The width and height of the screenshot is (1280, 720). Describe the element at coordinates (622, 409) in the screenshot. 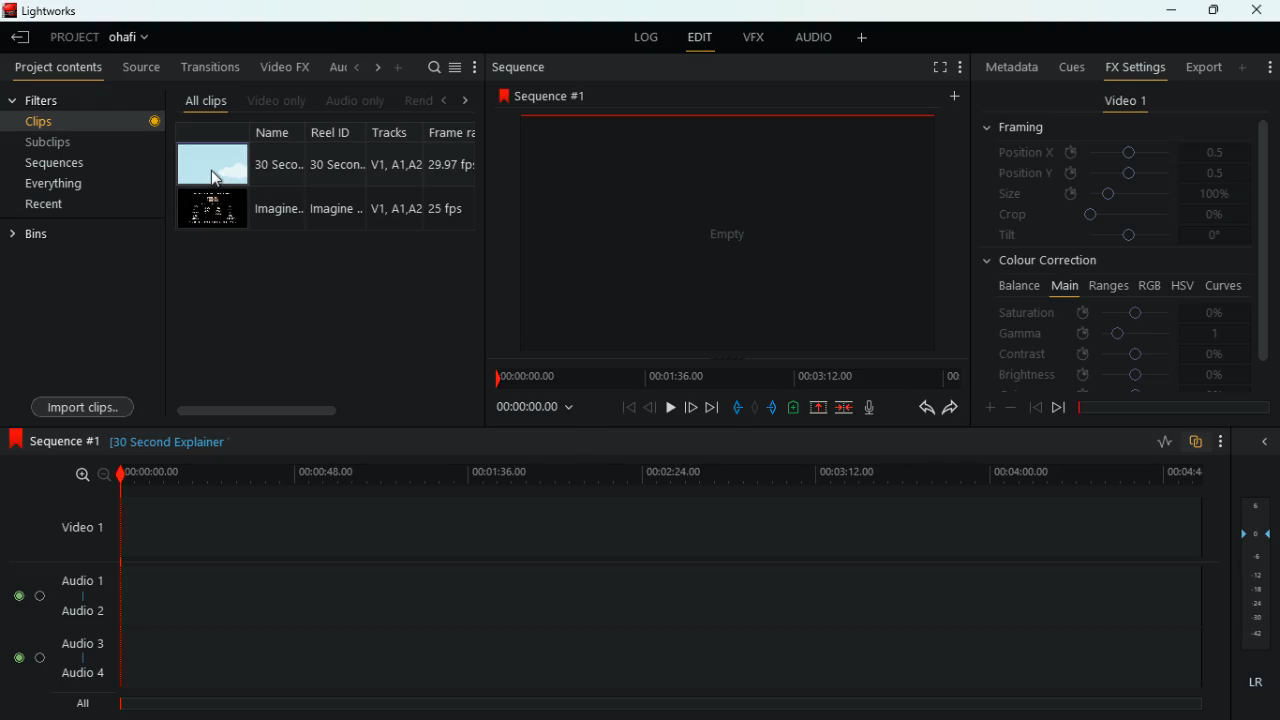

I see `beggining` at that location.